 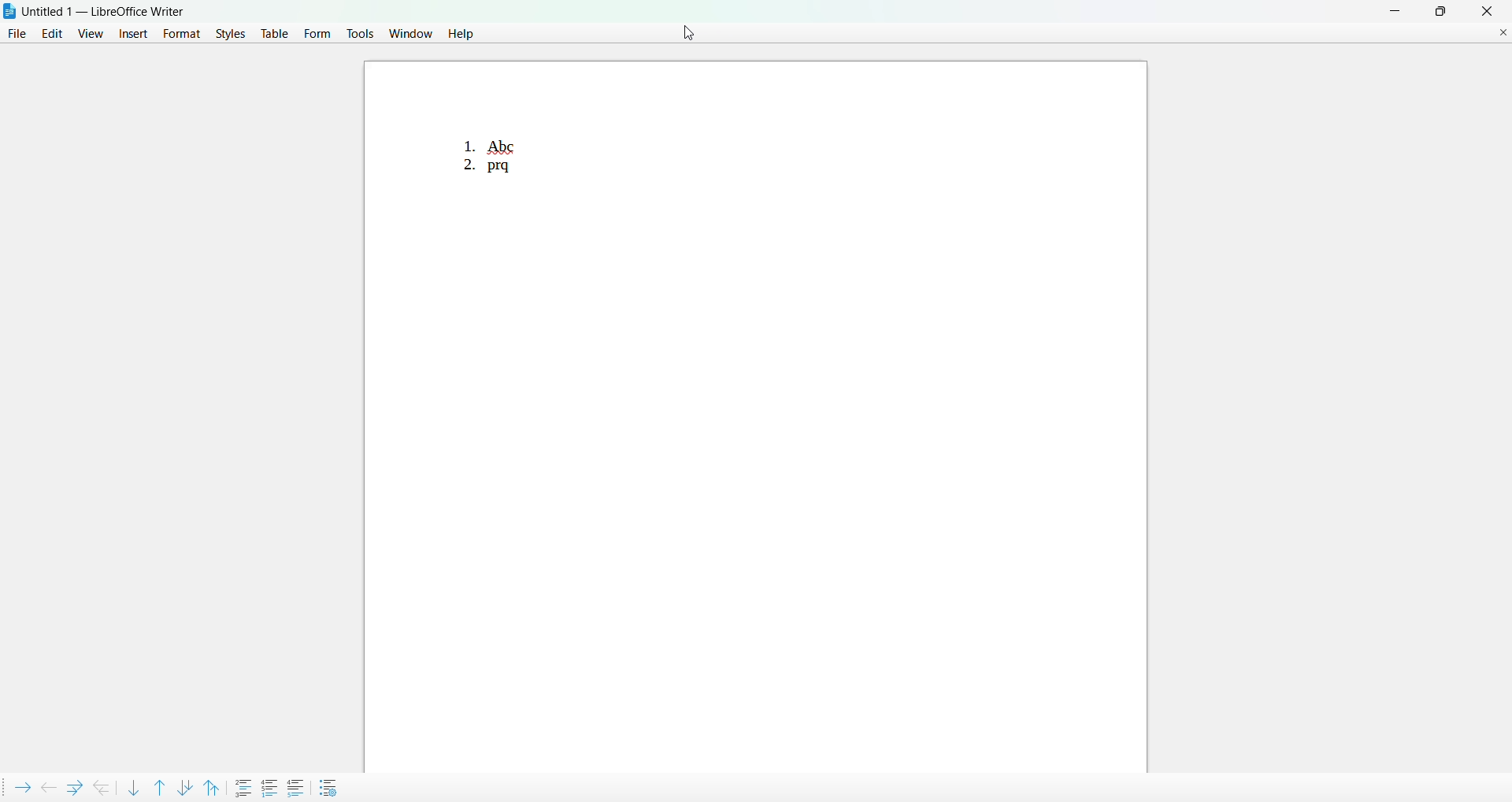 I want to click on move item up, so click(x=158, y=785).